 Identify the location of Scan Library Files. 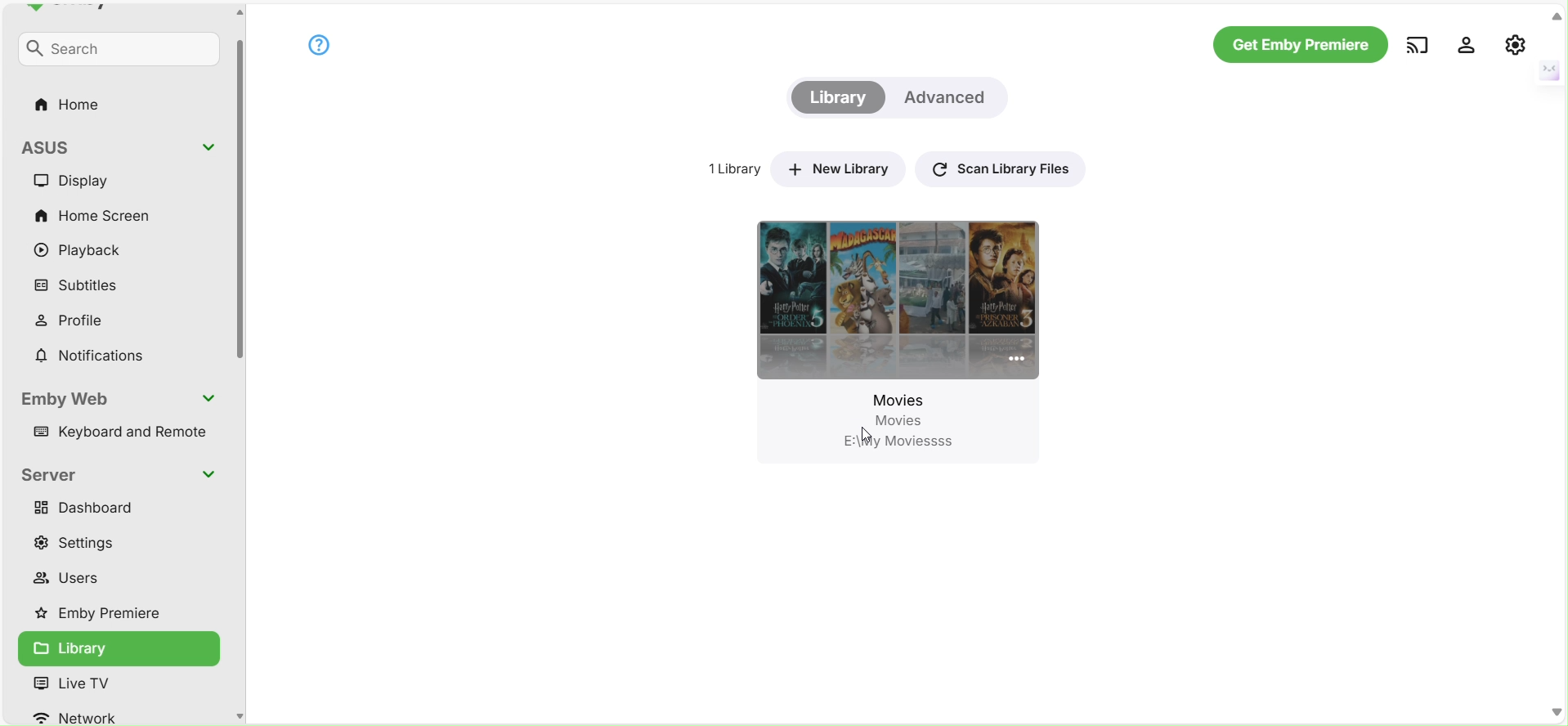
(1004, 167).